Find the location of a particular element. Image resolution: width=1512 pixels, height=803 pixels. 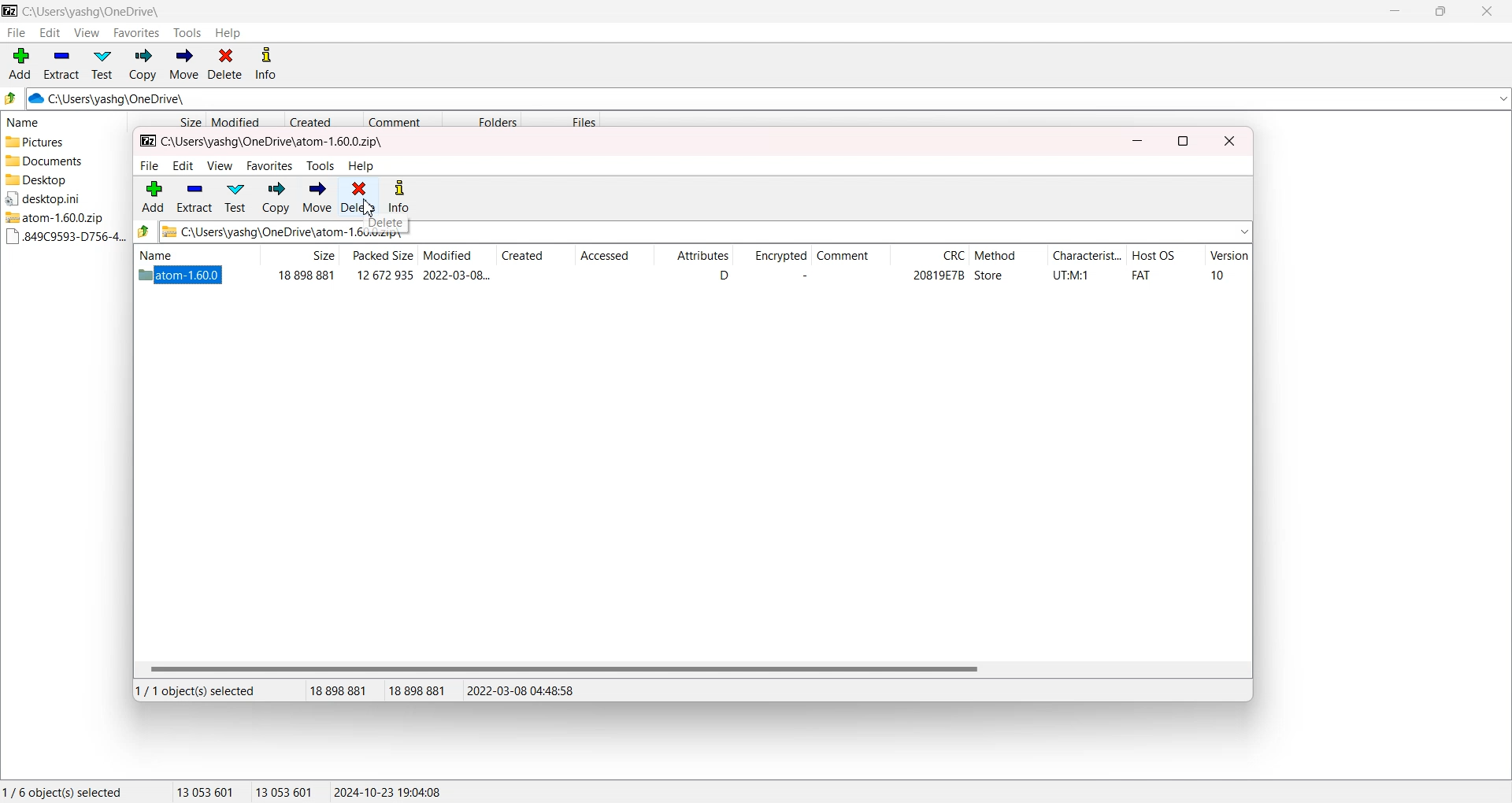

Delete is located at coordinates (225, 65).